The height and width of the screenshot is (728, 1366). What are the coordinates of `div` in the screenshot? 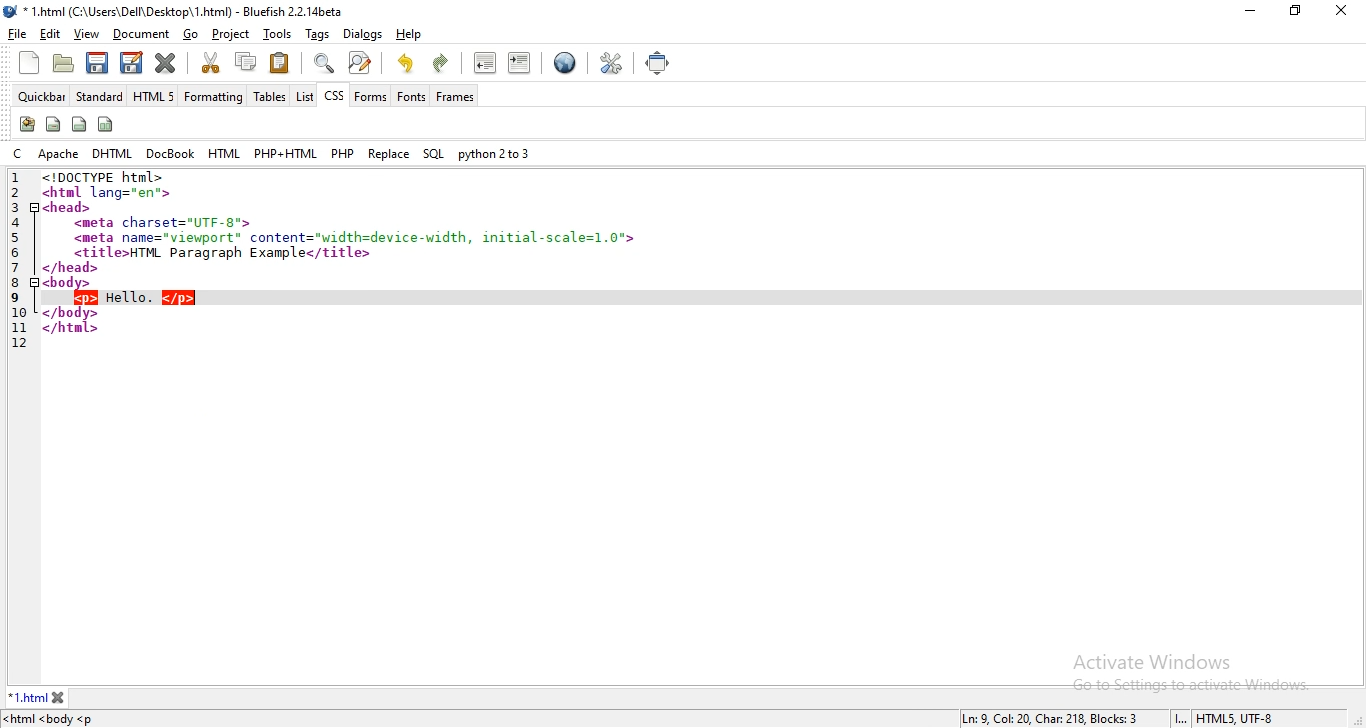 It's located at (79, 125).